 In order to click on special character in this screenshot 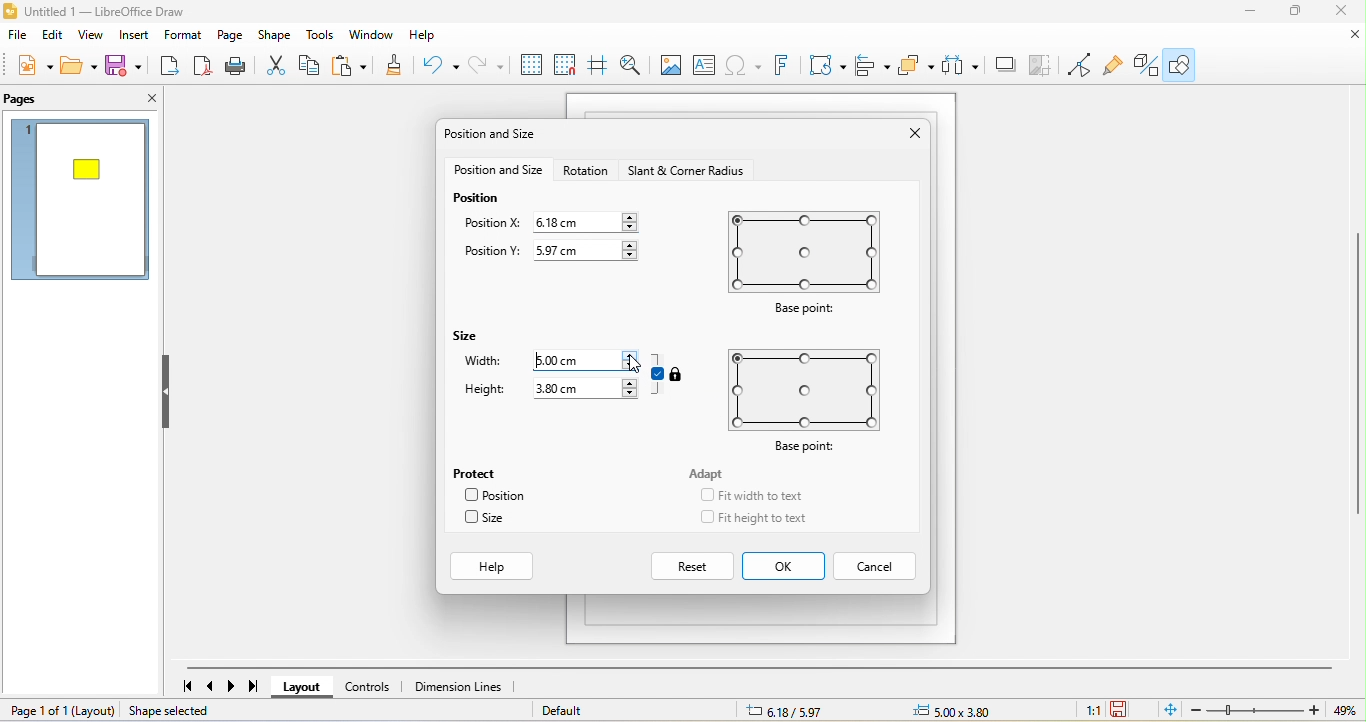, I will do `click(746, 66)`.